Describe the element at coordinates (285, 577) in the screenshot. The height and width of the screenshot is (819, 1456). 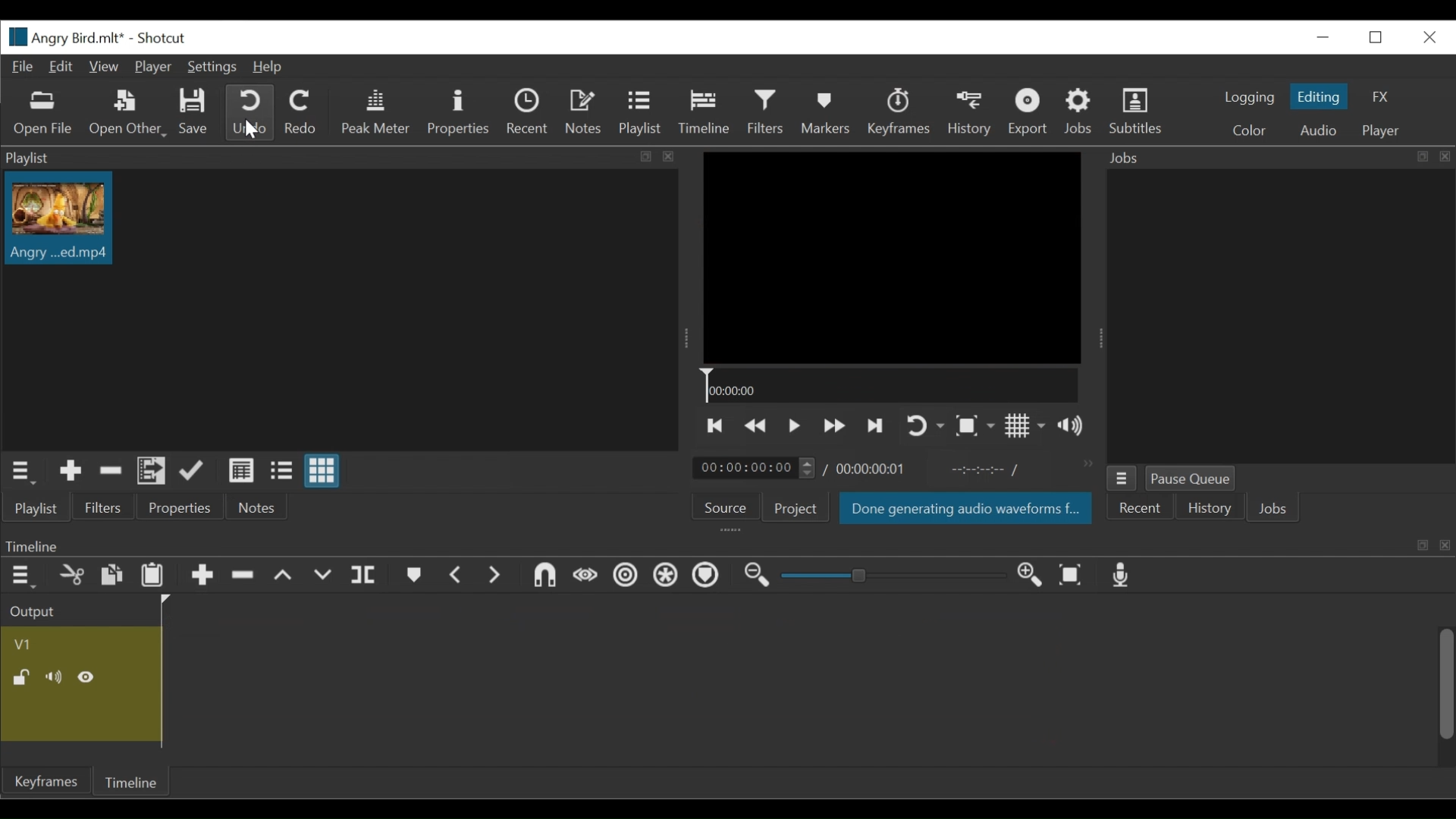
I see `lift` at that location.